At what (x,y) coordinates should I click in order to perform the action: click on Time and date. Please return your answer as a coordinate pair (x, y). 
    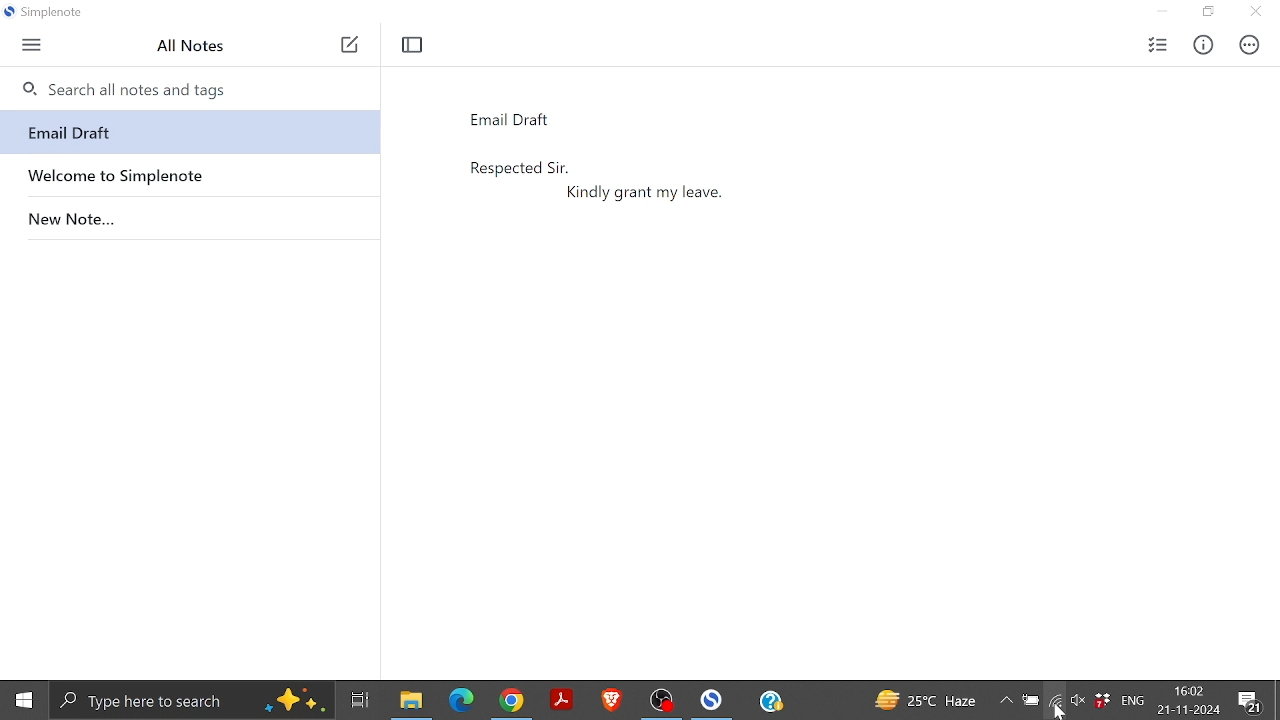
    Looking at the image, I should click on (1191, 700).